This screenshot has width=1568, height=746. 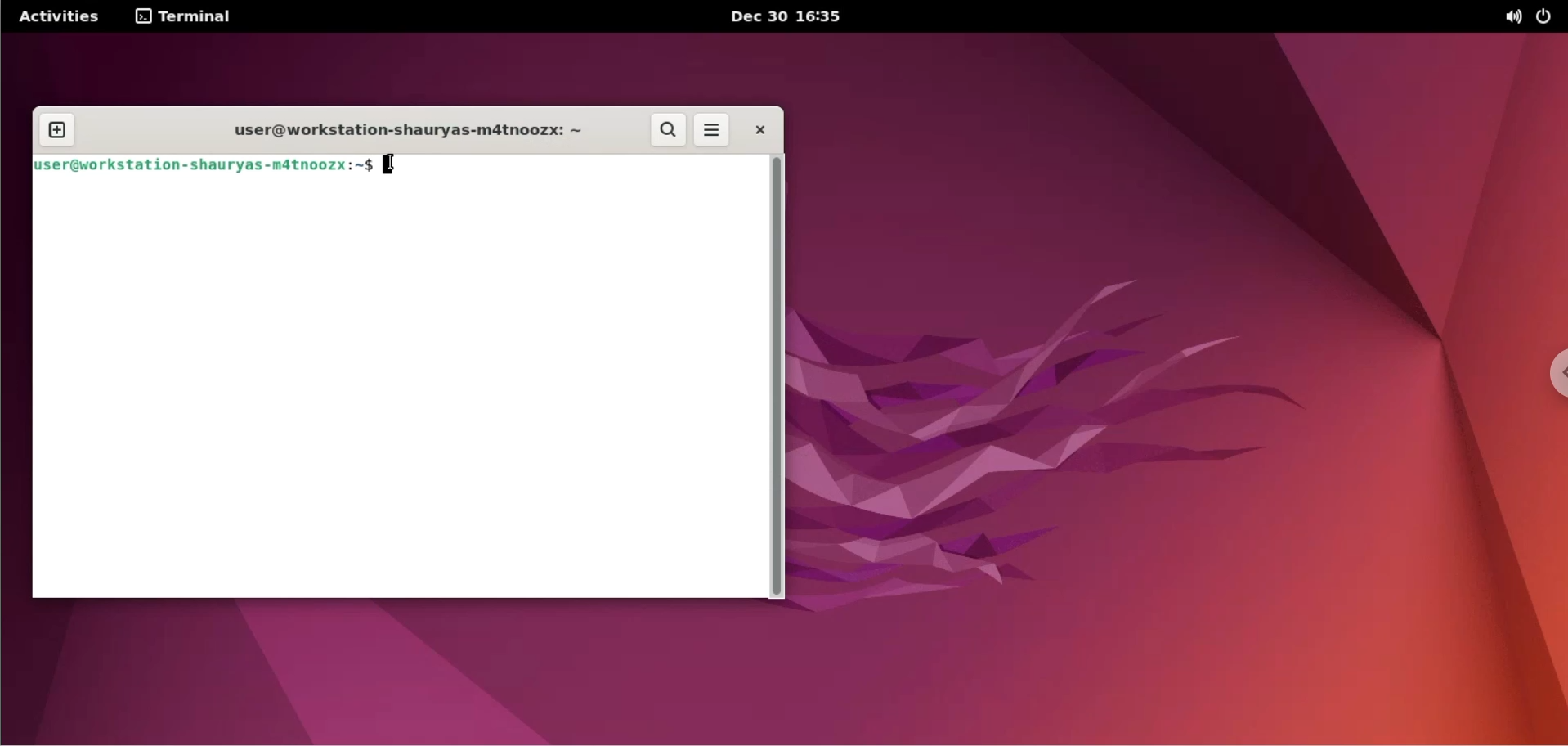 I want to click on new tab, so click(x=56, y=131).